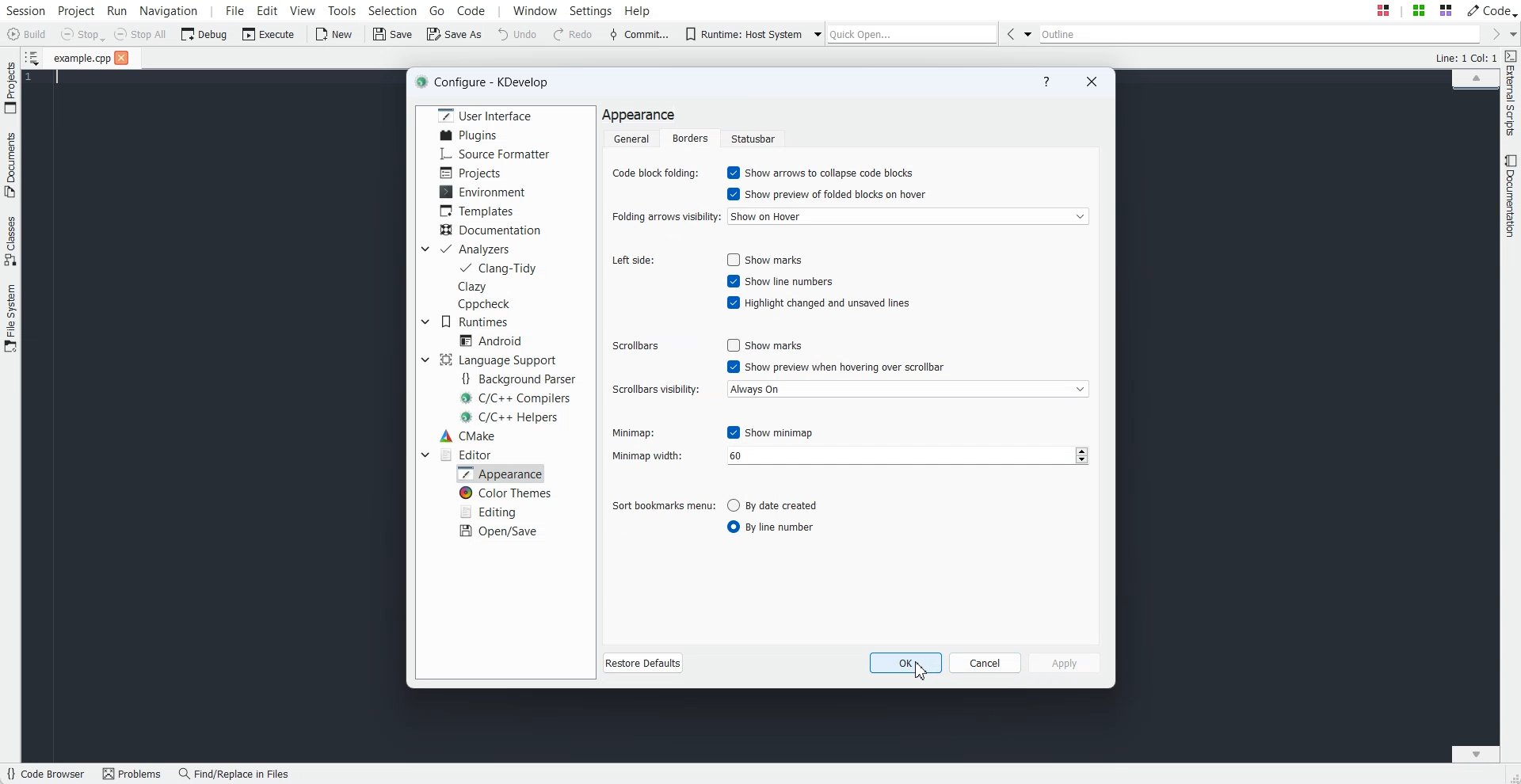 This screenshot has width=1521, height=784. I want to click on Help, so click(638, 10).